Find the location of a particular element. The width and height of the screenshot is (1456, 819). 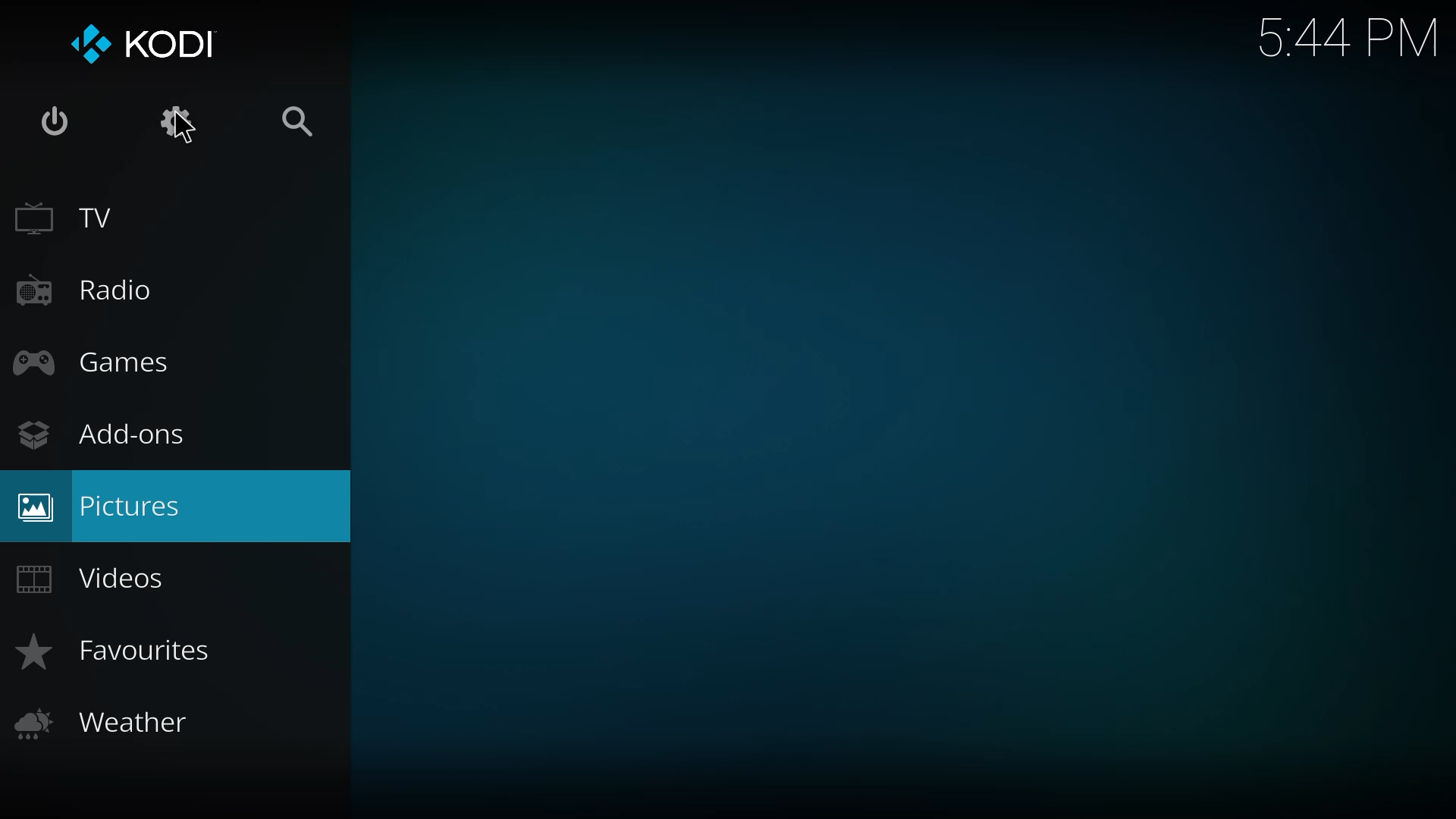

cursor is located at coordinates (178, 132).